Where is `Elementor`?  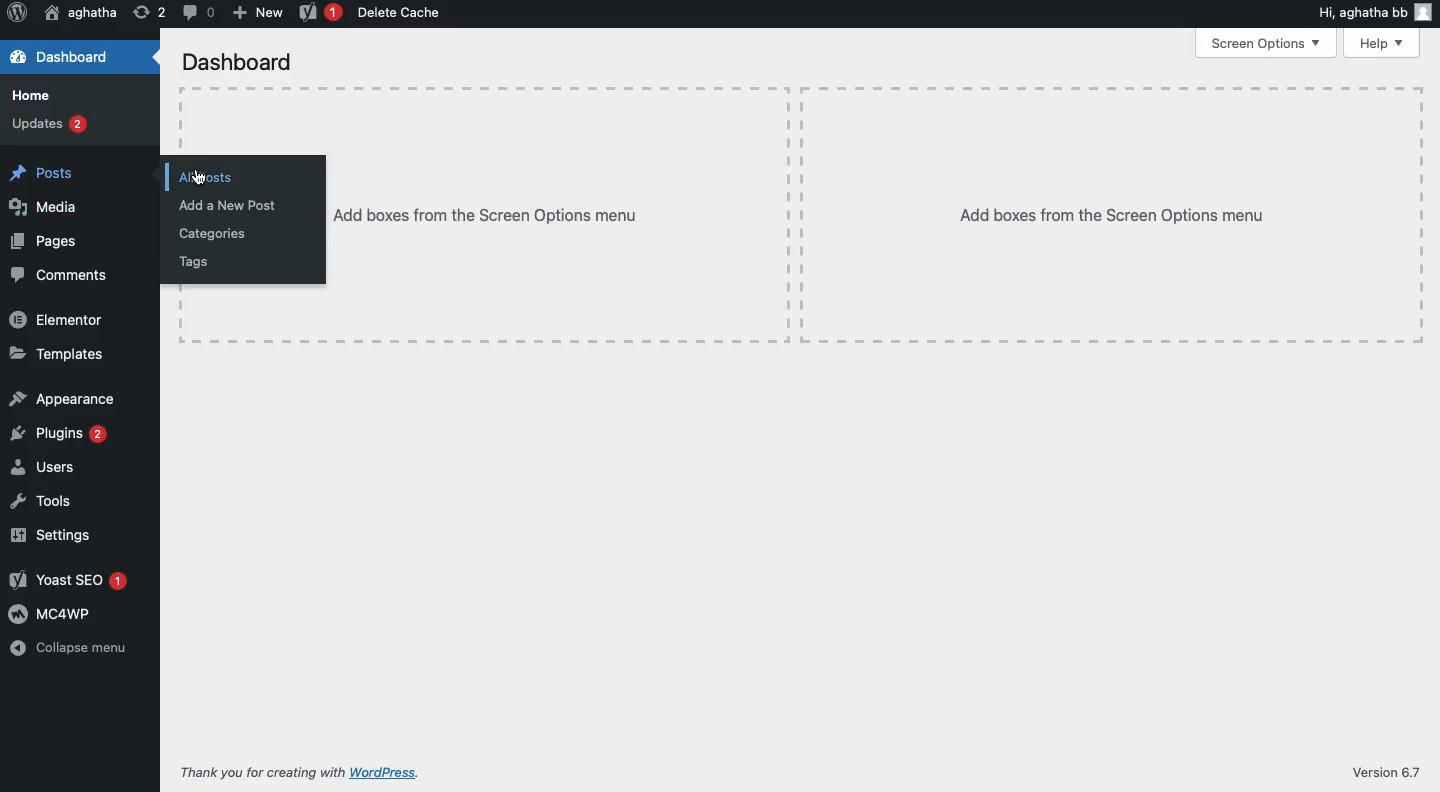
Elementor is located at coordinates (59, 320).